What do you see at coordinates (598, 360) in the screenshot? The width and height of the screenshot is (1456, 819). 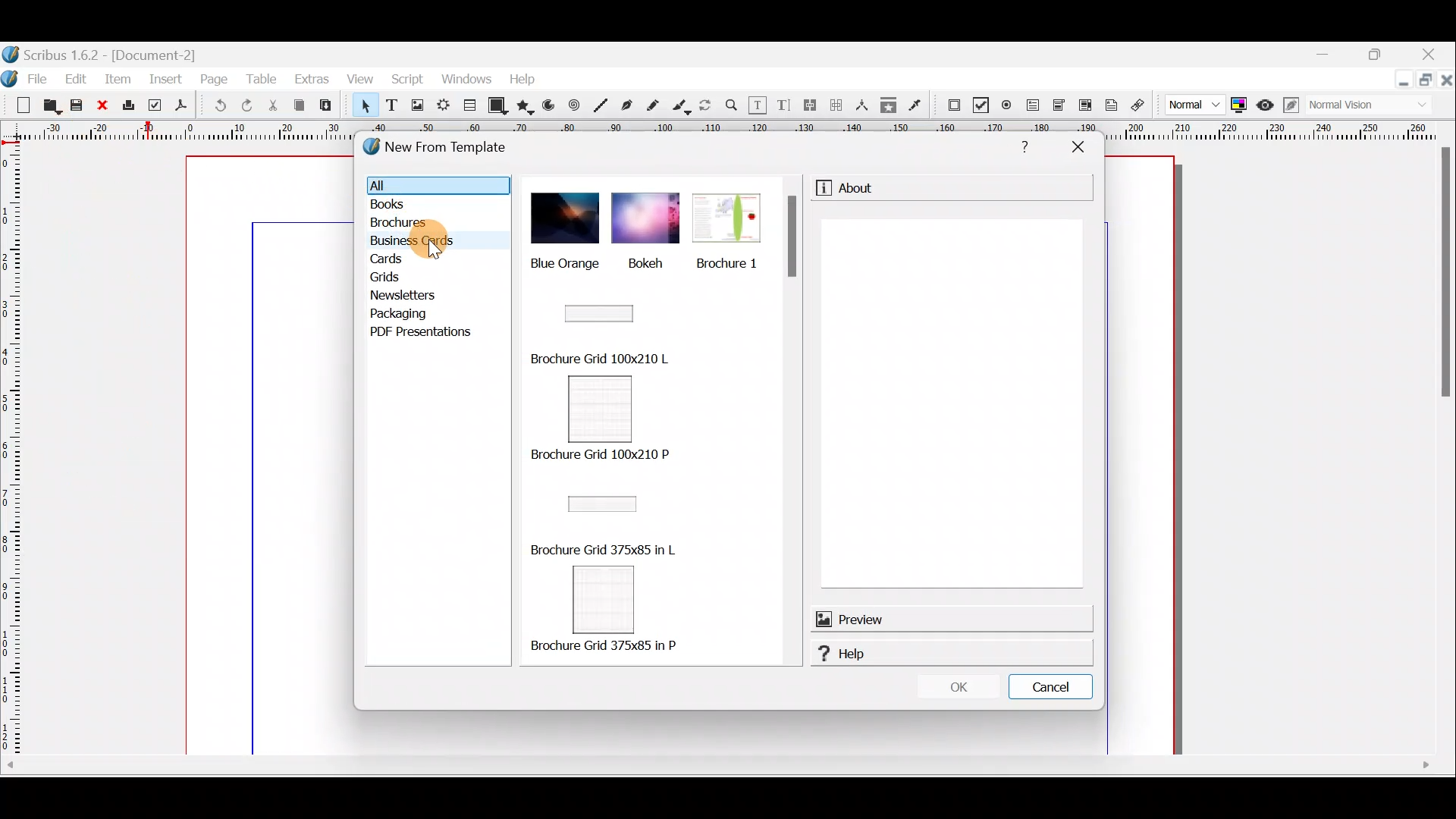 I see `Brochure Grid 100x210 L` at bounding box center [598, 360].